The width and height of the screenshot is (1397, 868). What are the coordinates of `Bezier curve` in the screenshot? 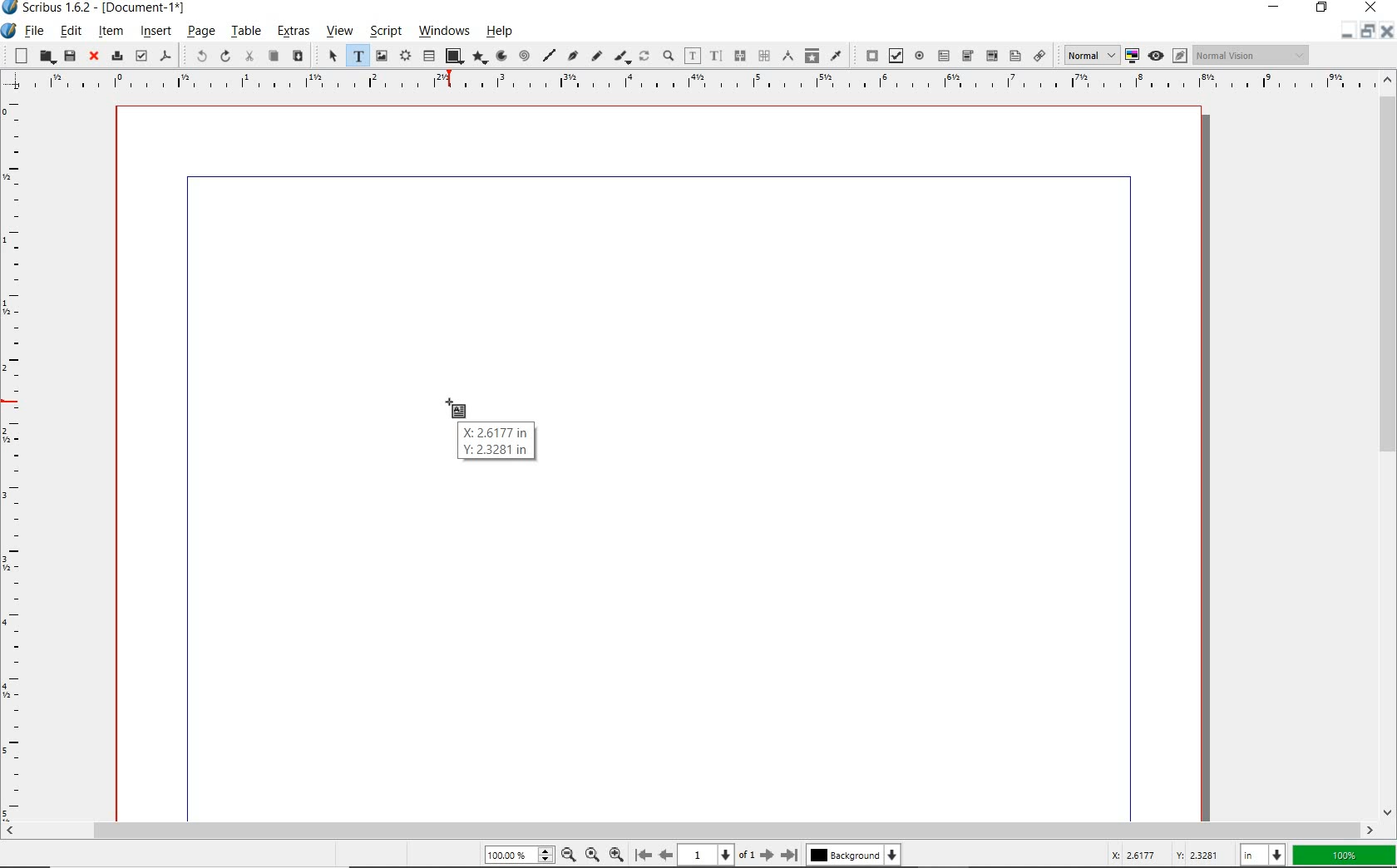 It's located at (572, 55).